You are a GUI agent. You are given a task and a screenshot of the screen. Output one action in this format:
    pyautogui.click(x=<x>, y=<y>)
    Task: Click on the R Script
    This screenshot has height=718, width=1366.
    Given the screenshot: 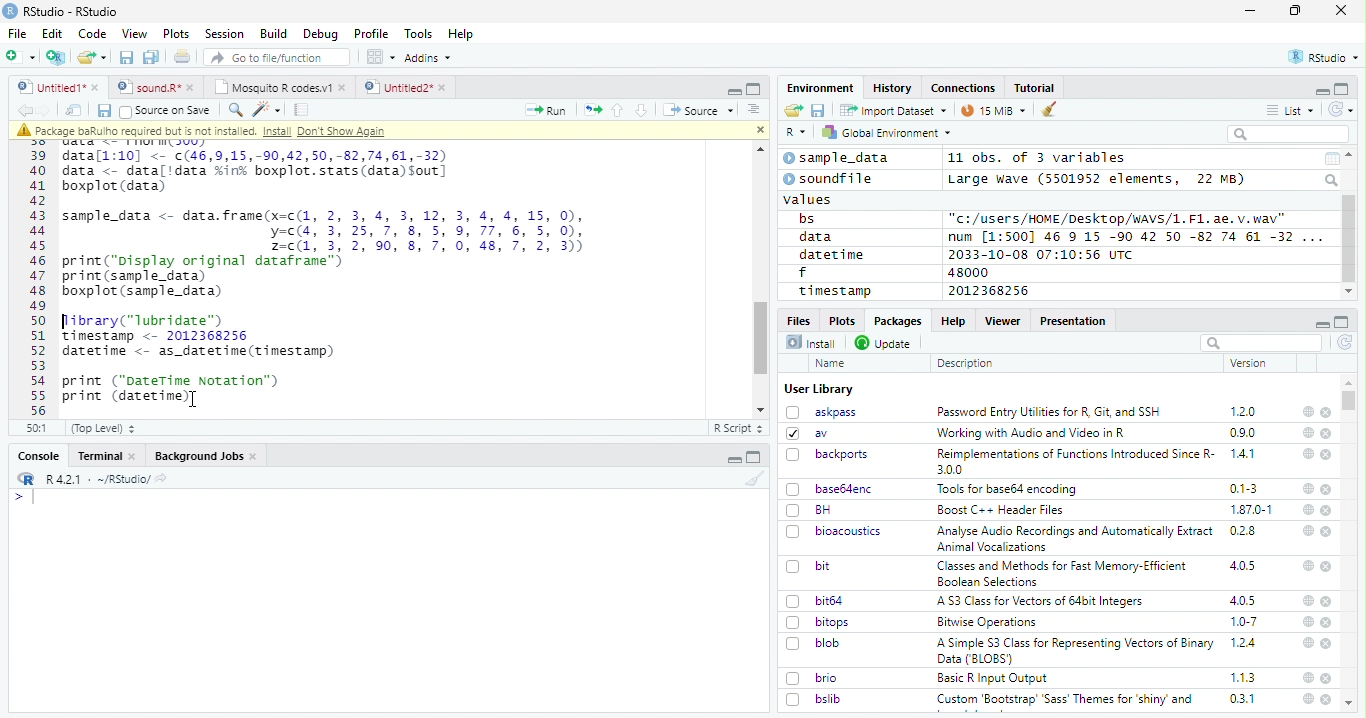 What is the action you would take?
    pyautogui.click(x=737, y=429)
    